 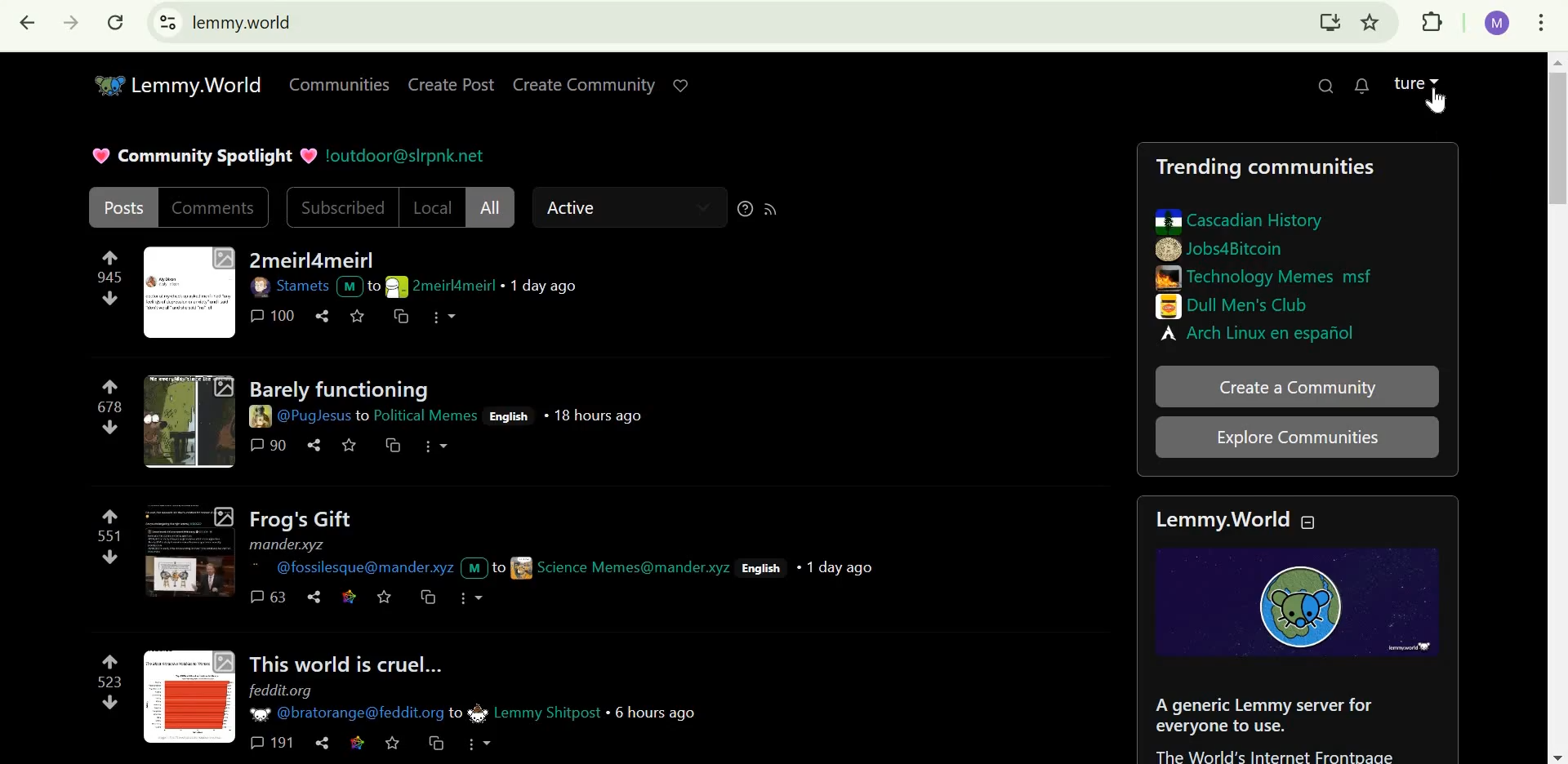 What do you see at coordinates (298, 519) in the screenshot?
I see `Frog's gift` at bounding box center [298, 519].